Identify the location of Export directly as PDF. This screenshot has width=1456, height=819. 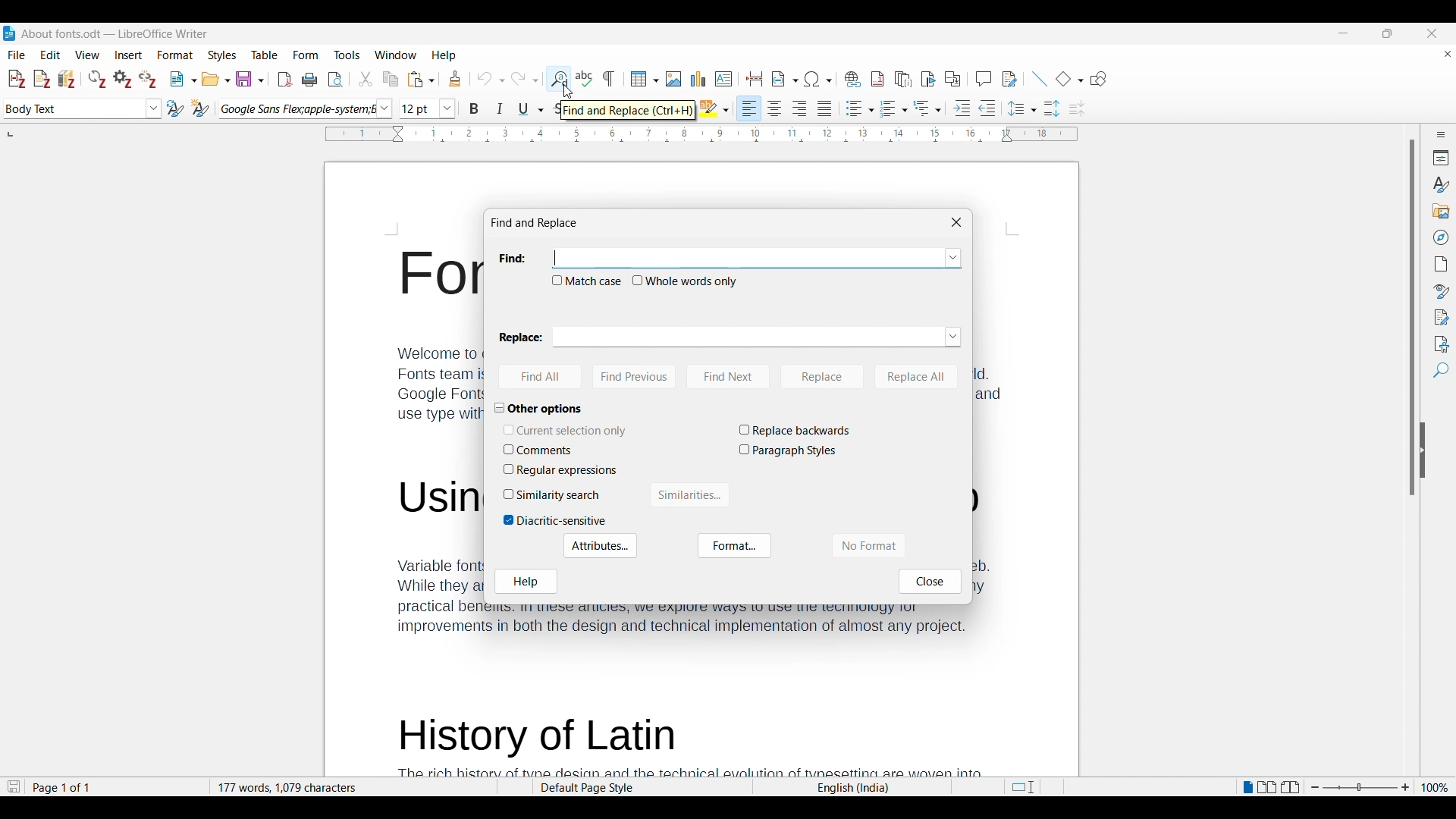
(285, 80).